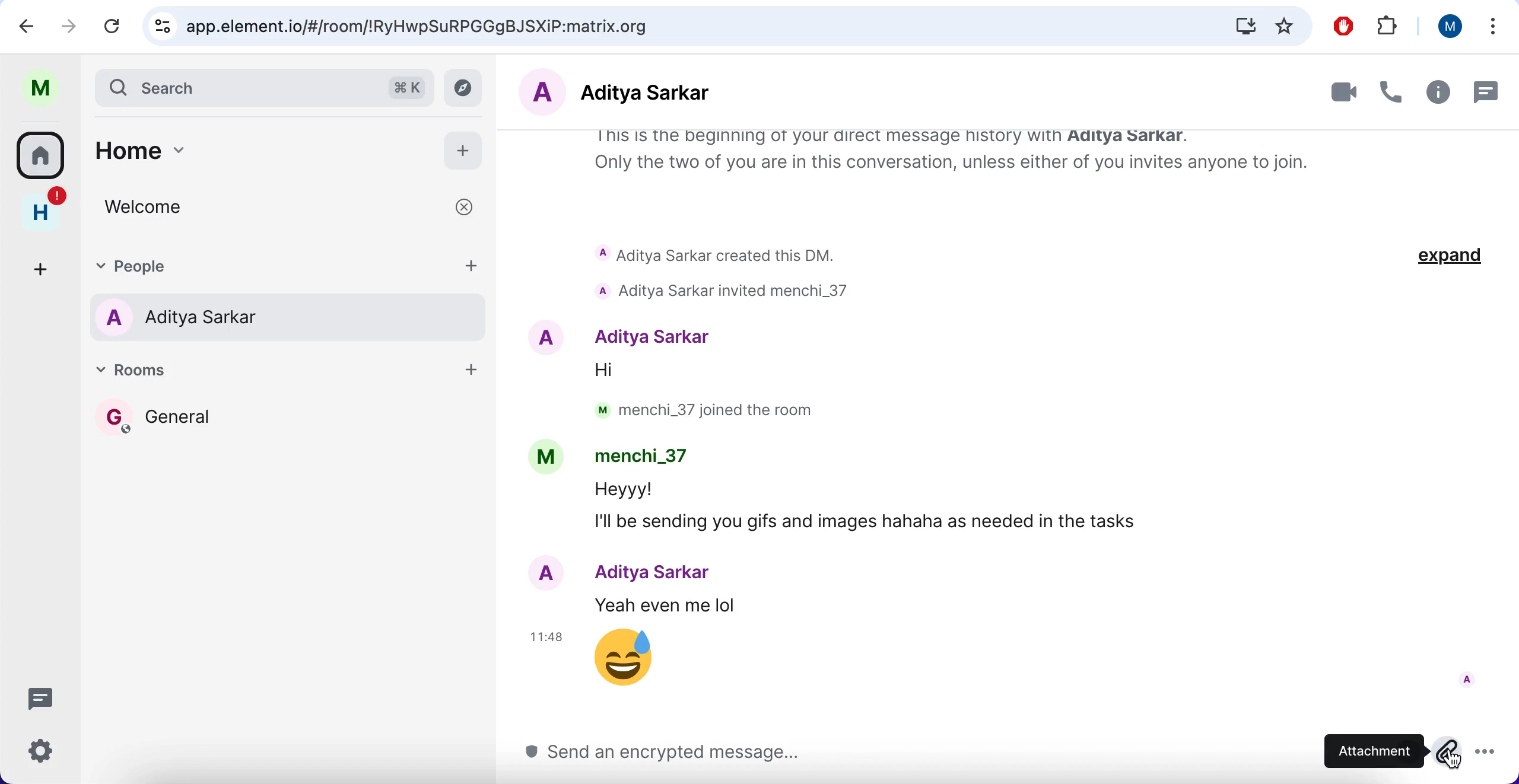  I want to click on threads, so click(1488, 96).